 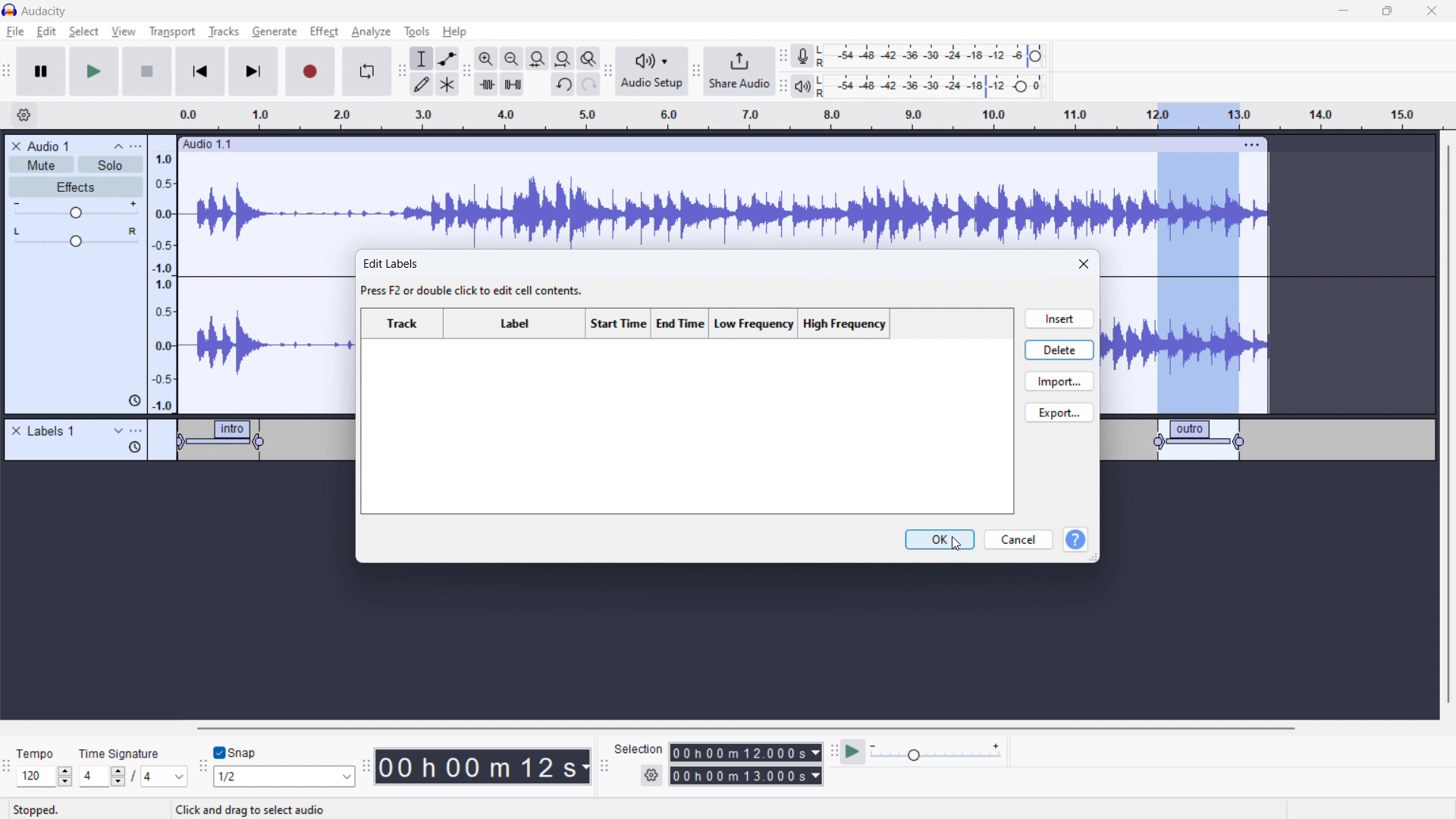 I want to click on play, so click(x=93, y=71).